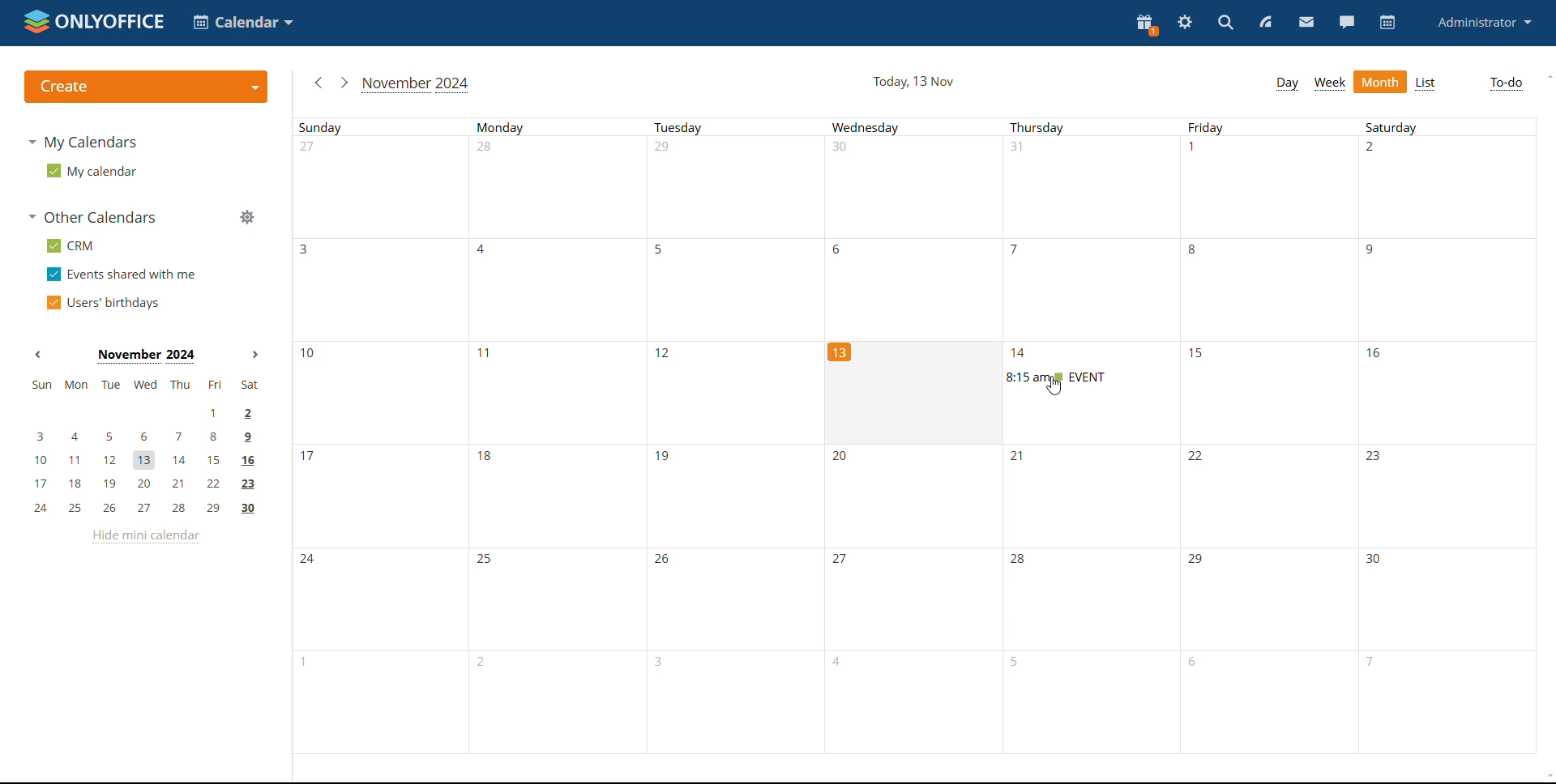  Describe the element at coordinates (924, 497) in the screenshot. I see `unallocated time slots for 17-23 november` at that location.